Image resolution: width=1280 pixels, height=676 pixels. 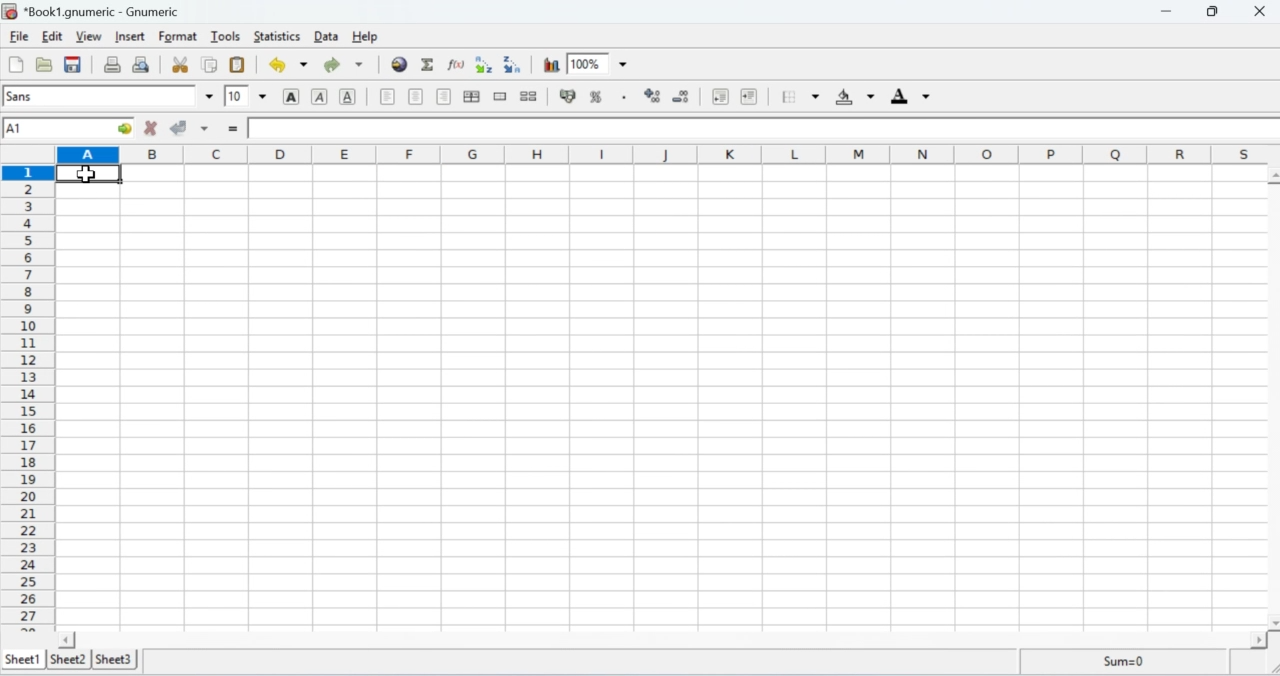 I want to click on Copy the selection, so click(x=211, y=63).